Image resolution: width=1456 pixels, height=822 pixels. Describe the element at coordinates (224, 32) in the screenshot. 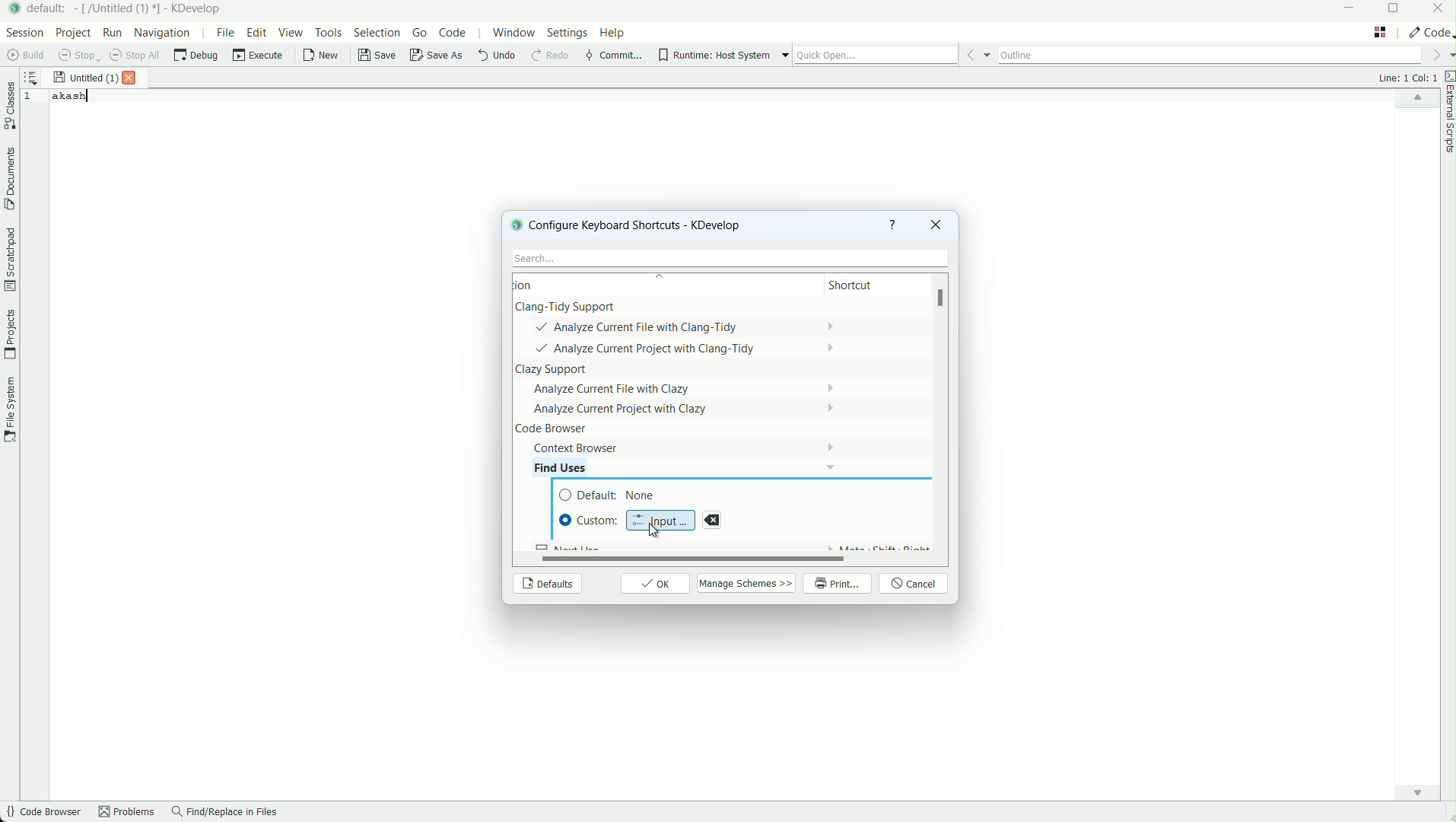

I see `file menu` at that location.